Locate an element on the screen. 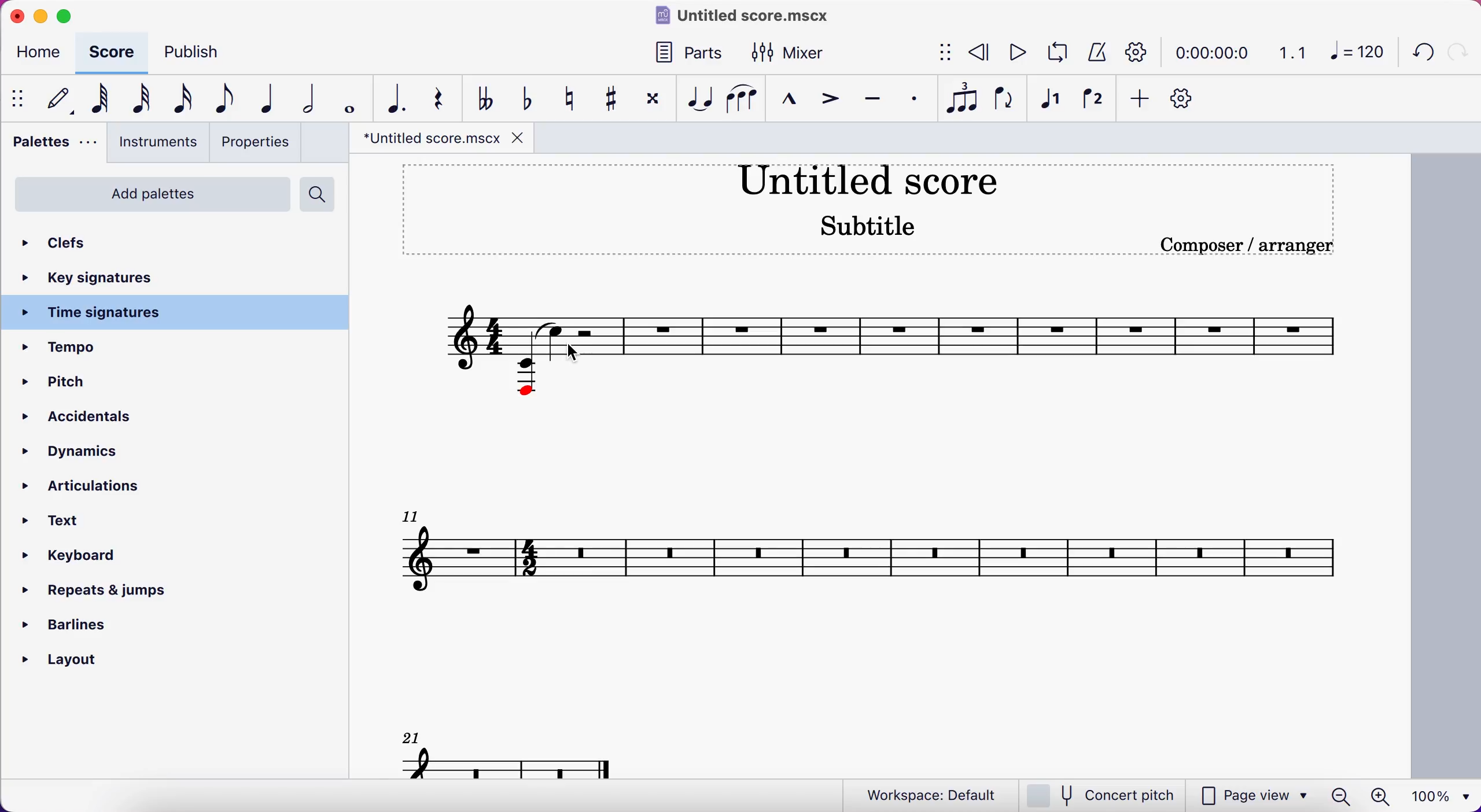  loop playback is located at coordinates (1053, 53).